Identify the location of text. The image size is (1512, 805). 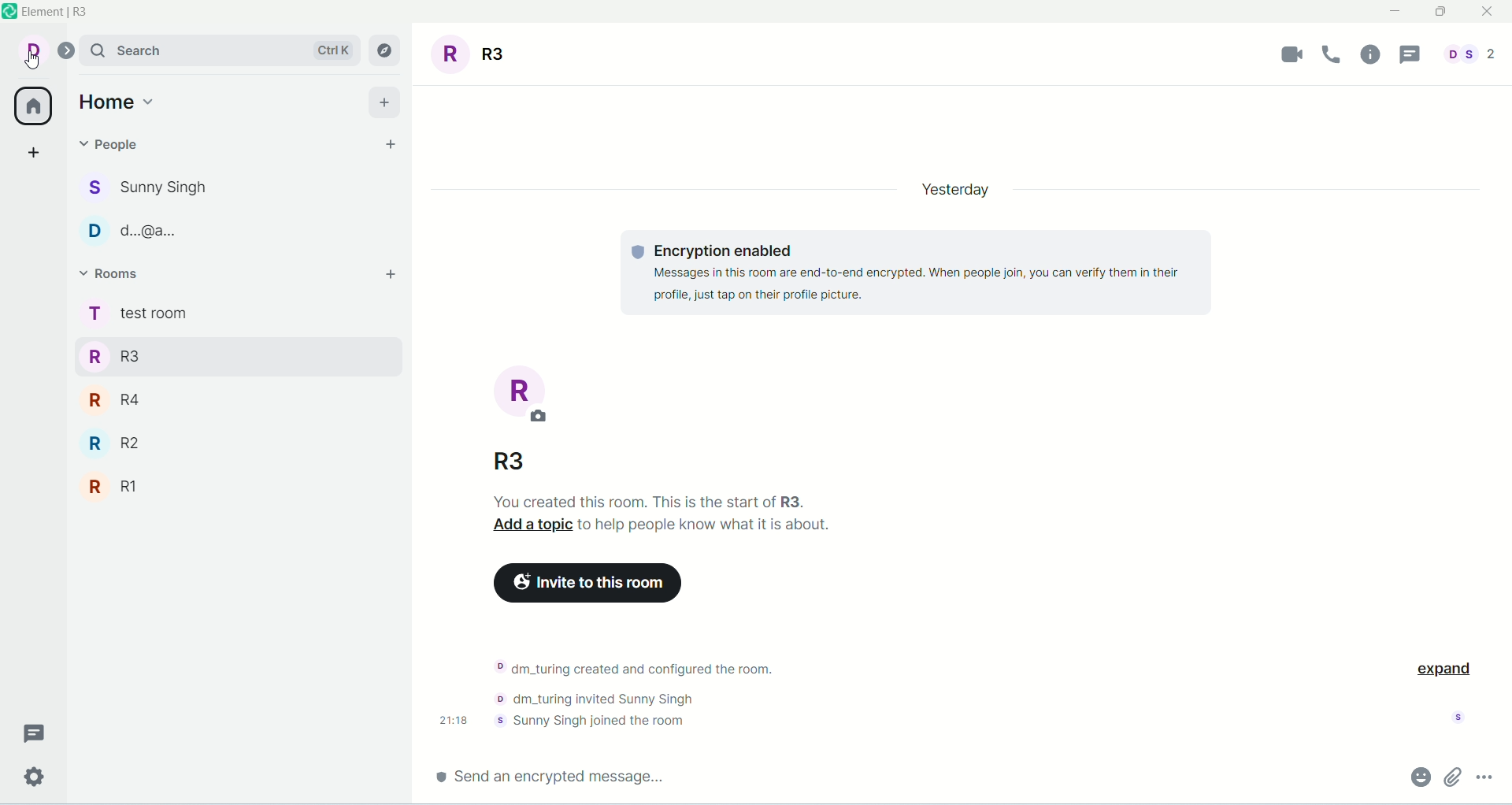
(669, 516).